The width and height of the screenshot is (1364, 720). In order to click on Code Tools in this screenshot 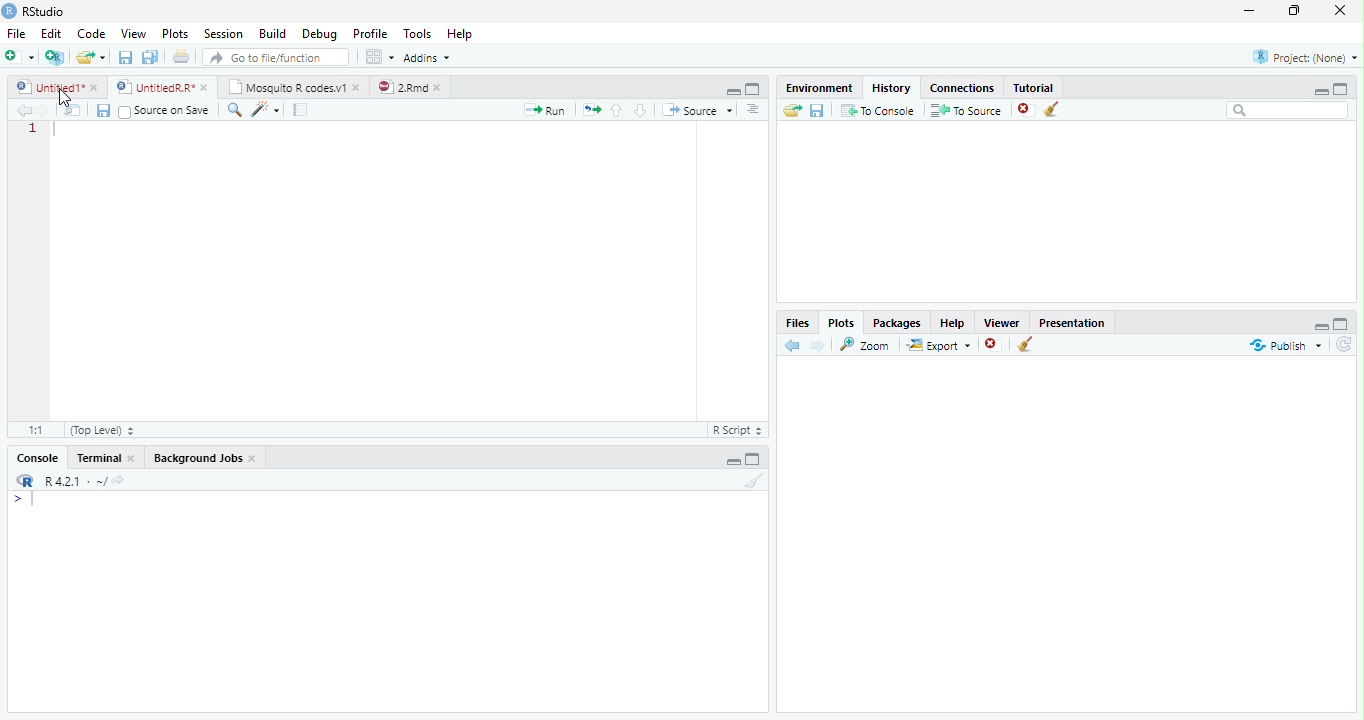, I will do `click(266, 110)`.